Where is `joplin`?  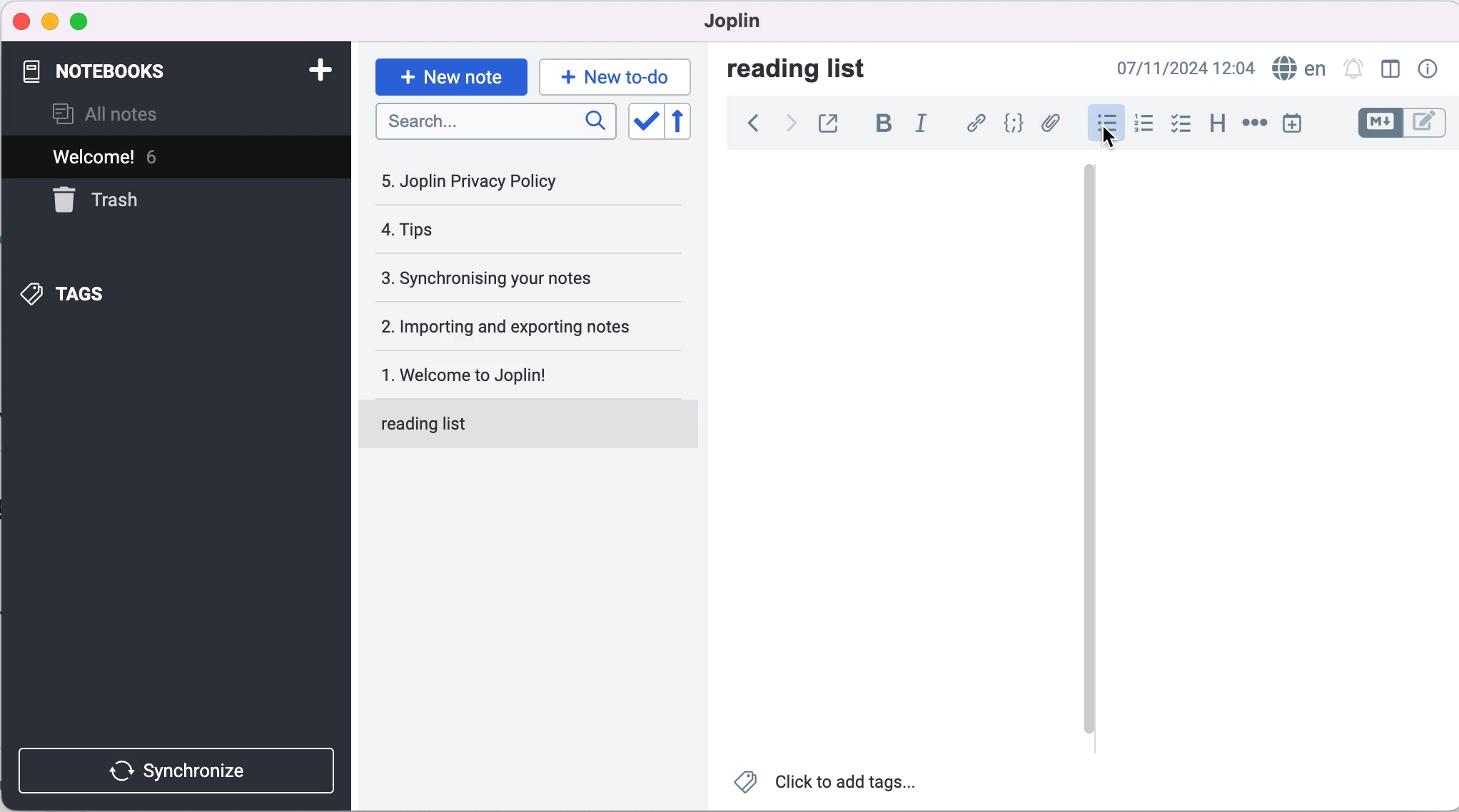 joplin is located at coordinates (757, 23).